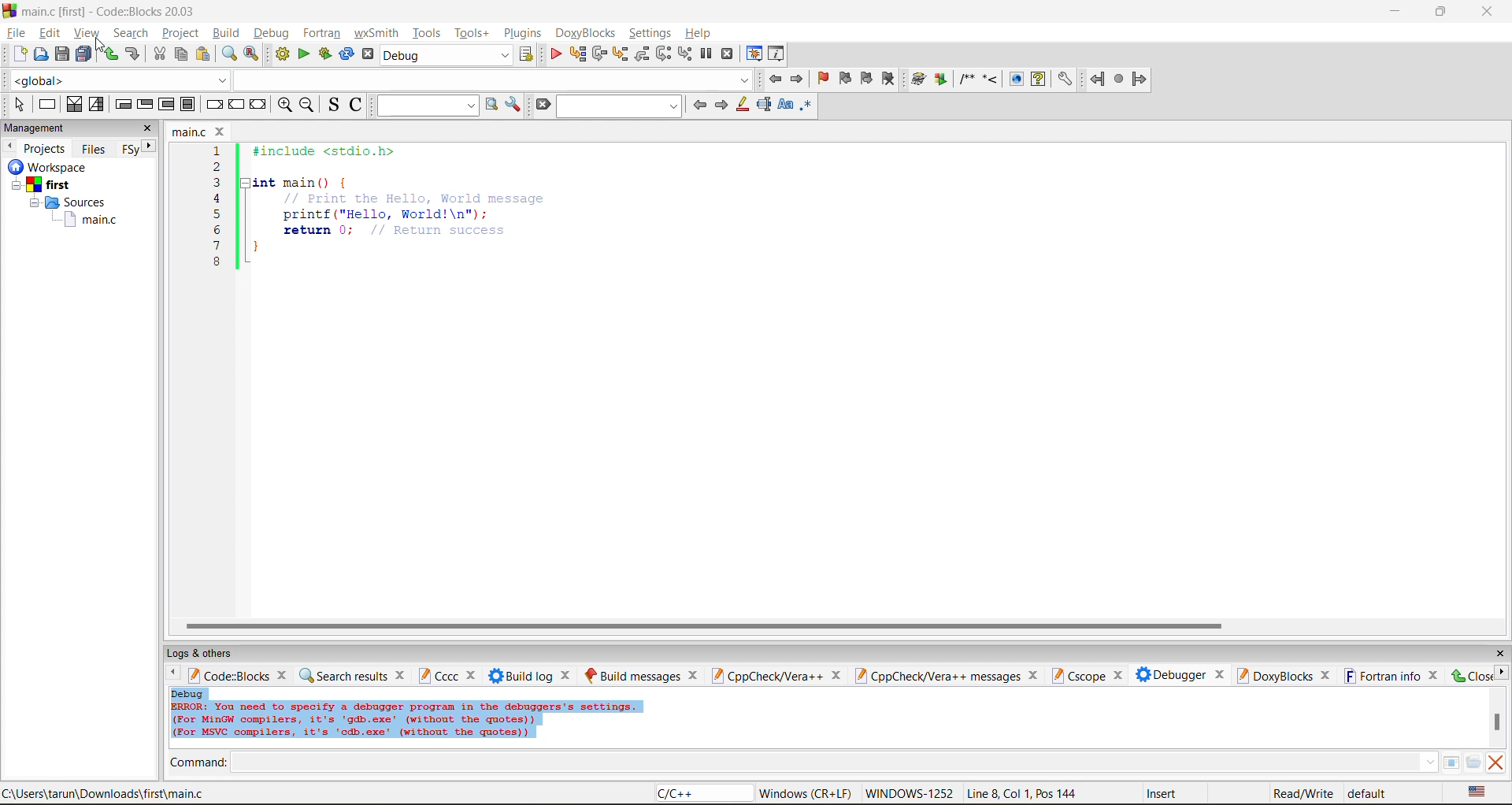  Describe the element at coordinates (947, 673) in the screenshot. I see `cppcheck/vera++messages` at that location.